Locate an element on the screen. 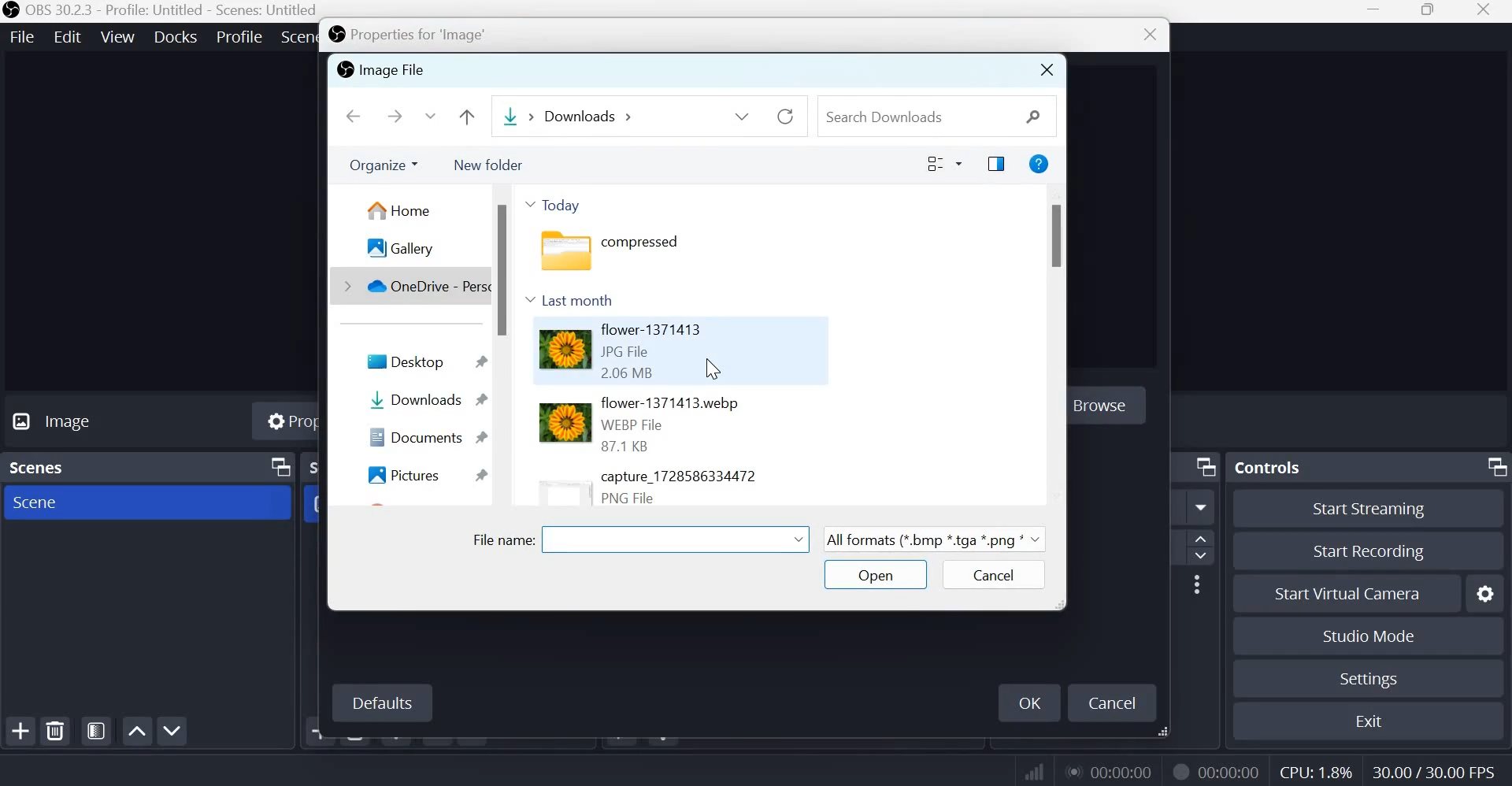 The width and height of the screenshot is (1512, 786). Remove selected scene is located at coordinates (58, 731).